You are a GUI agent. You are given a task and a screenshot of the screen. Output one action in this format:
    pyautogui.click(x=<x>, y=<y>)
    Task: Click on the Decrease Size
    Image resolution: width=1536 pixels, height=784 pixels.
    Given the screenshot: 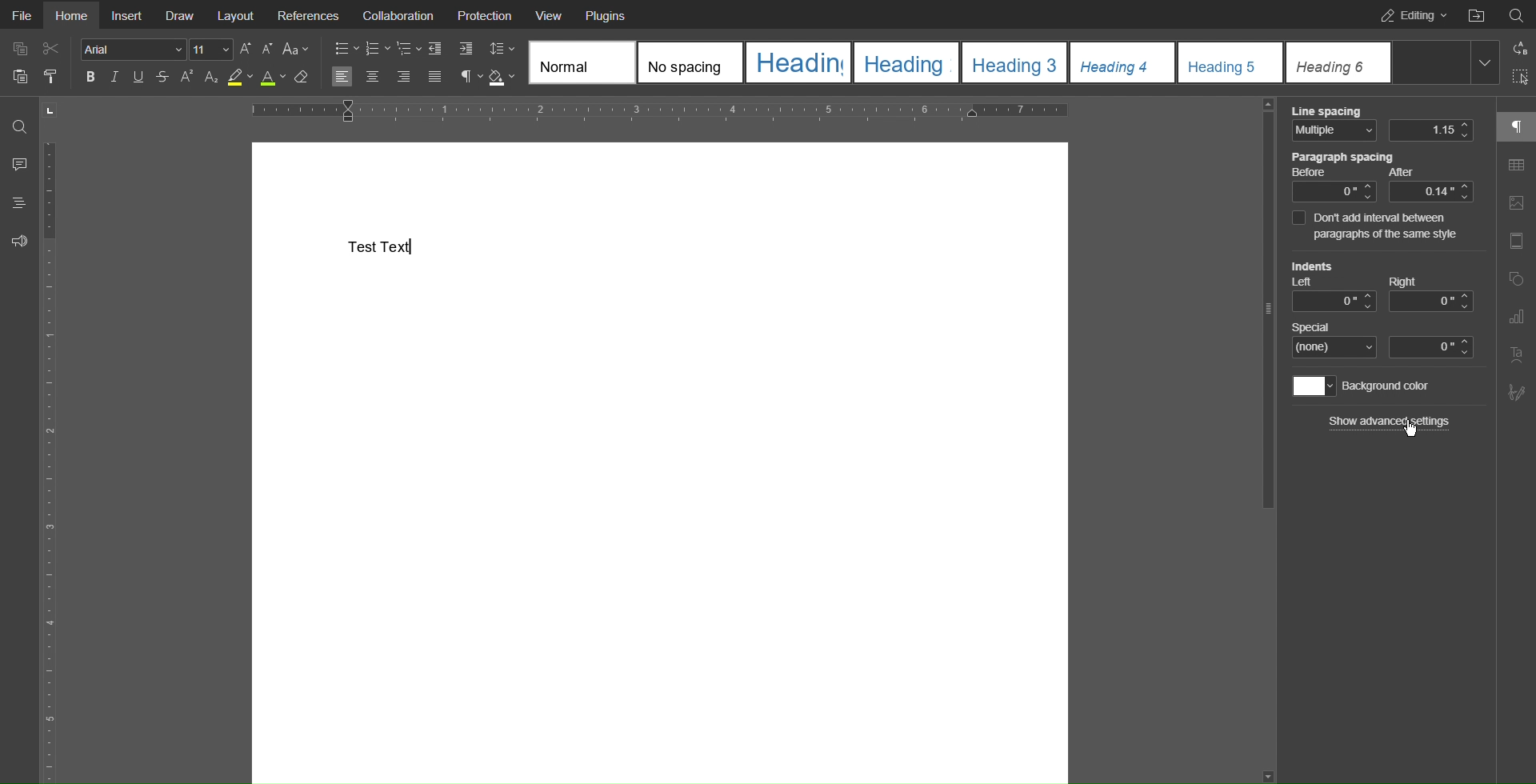 What is the action you would take?
    pyautogui.click(x=267, y=49)
    